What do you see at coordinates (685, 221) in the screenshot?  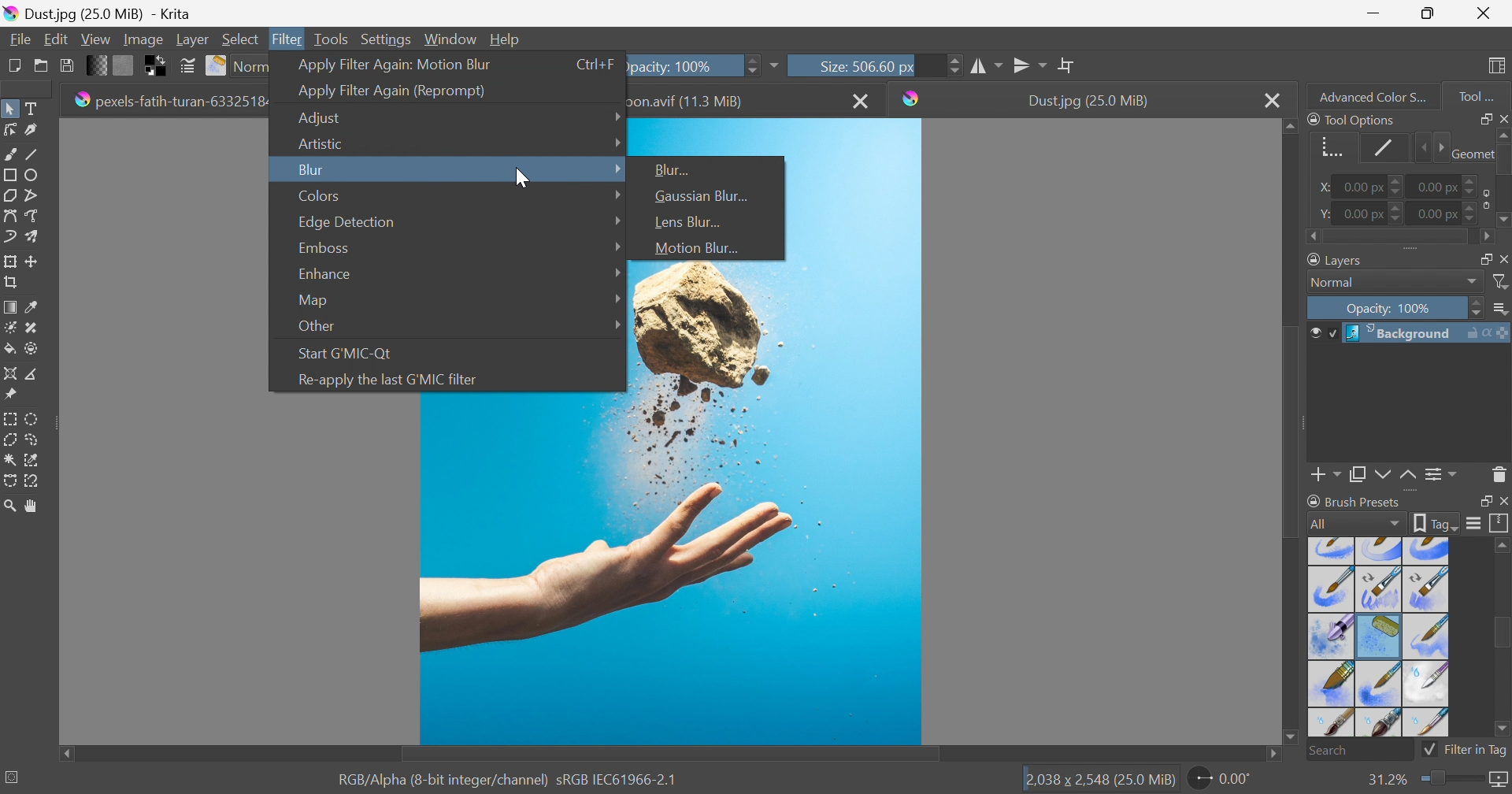 I see `Lens Blur...` at bounding box center [685, 221].